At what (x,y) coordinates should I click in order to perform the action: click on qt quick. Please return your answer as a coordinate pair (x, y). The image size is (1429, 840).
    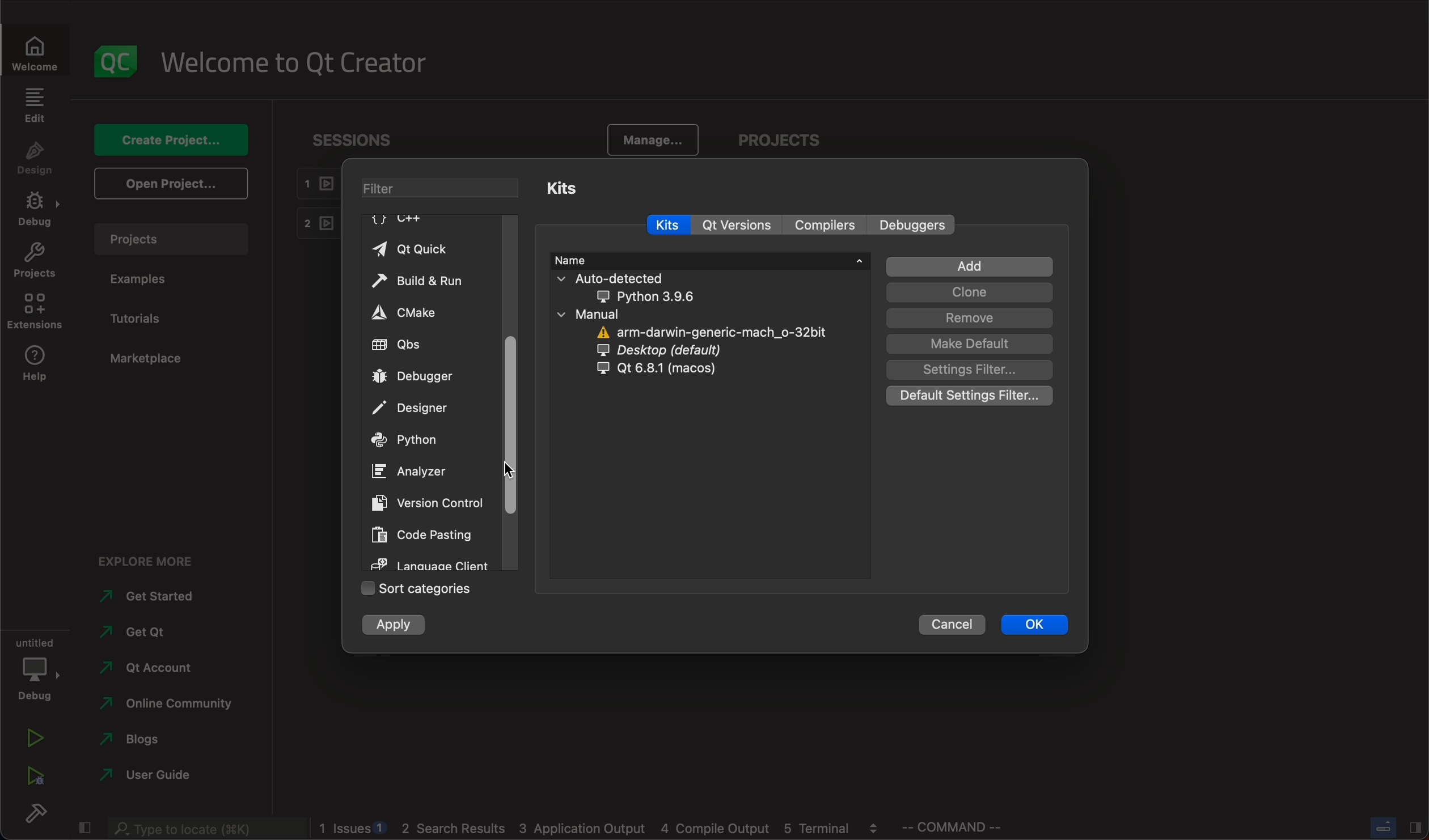
    Looking at the image, I should click on (427, 245).